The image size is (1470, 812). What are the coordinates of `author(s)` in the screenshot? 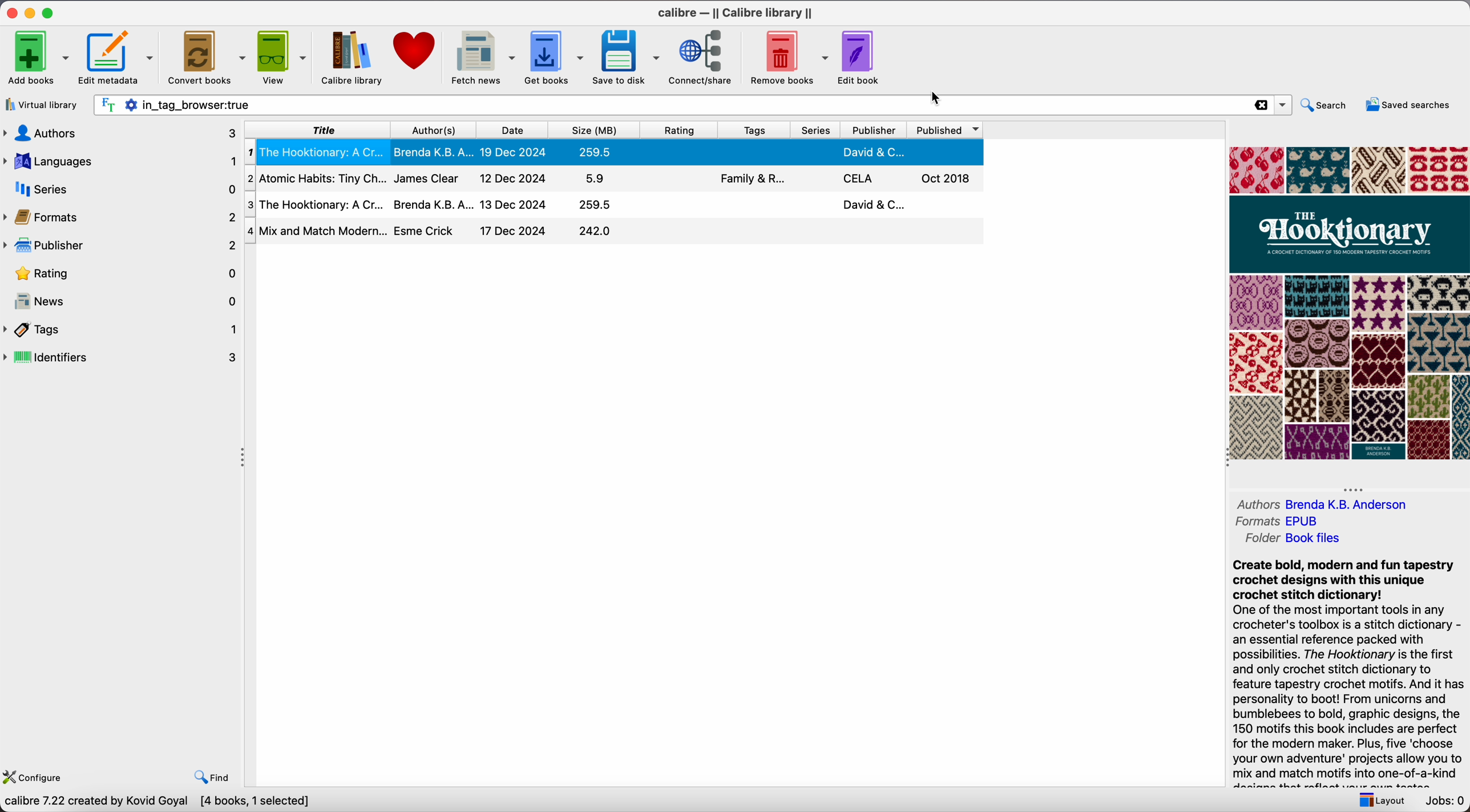 It's located at (434, 128).